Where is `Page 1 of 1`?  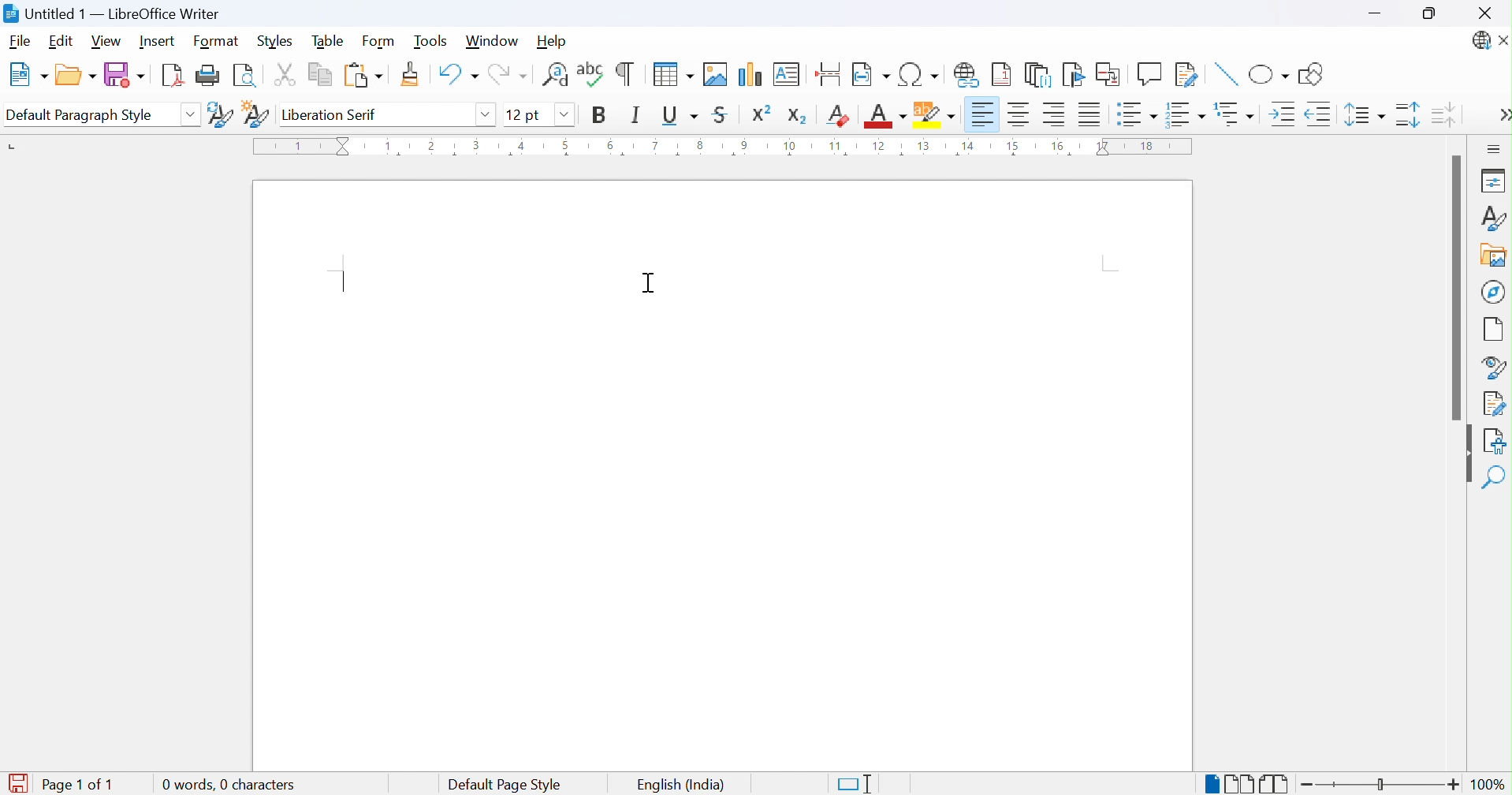
Page 1 of 1 is located at coordinates (58, 785).